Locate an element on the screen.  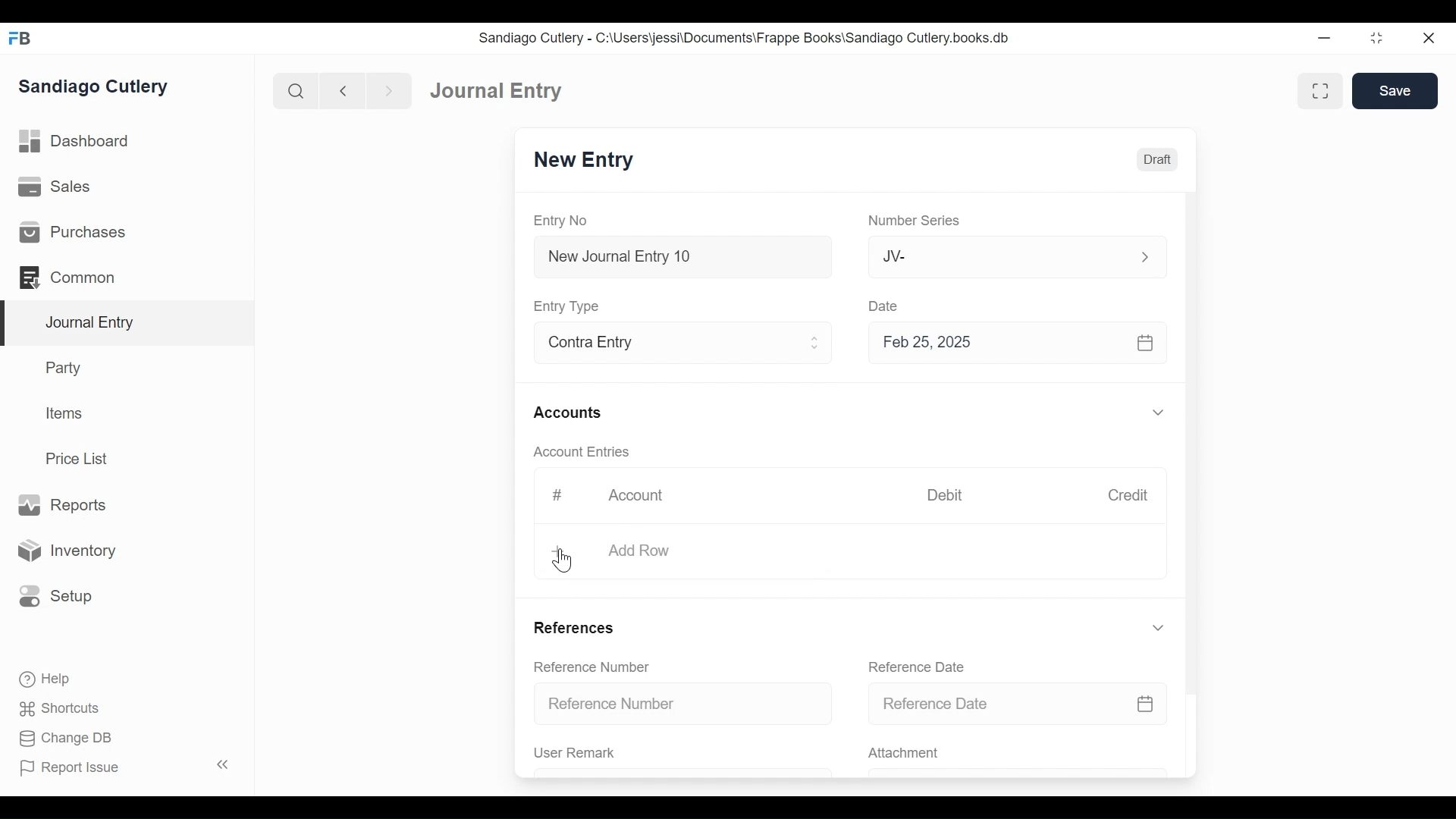
Draft is located at coordinates (1158, 160).